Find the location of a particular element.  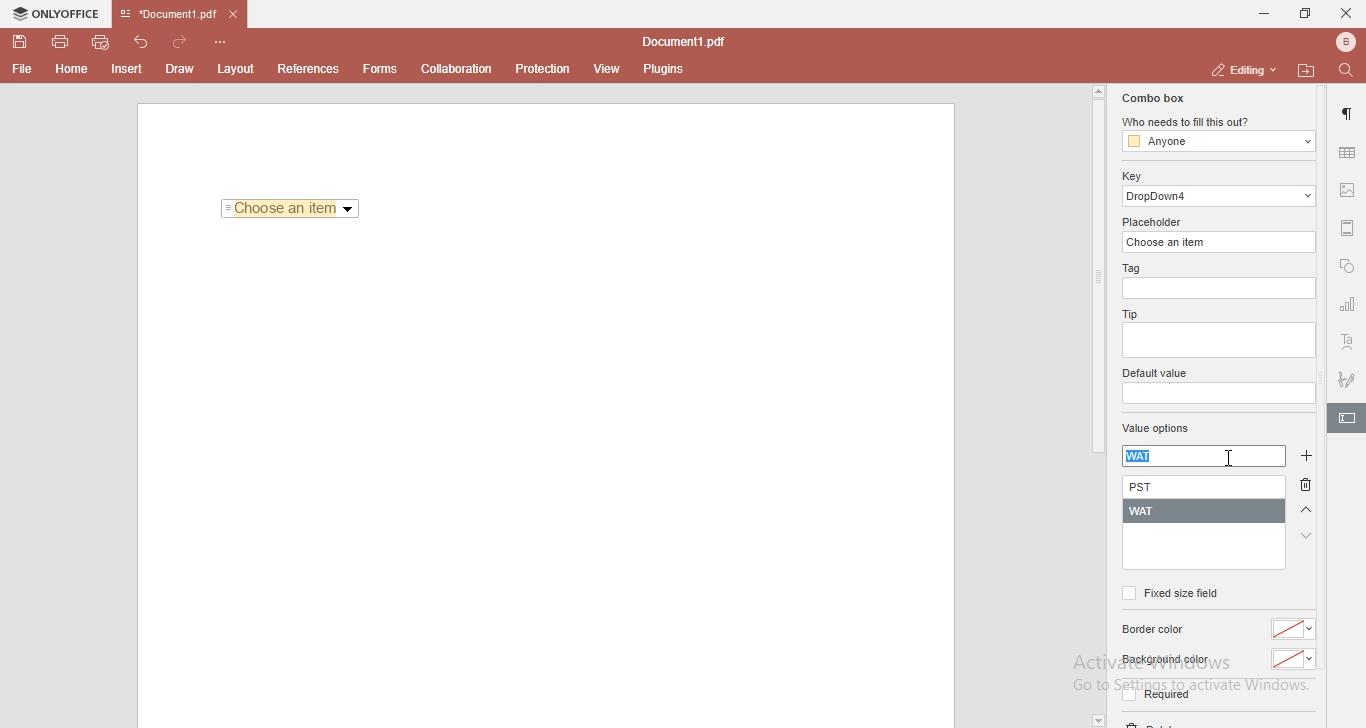

bluetooth is located at coordinates (1340, 42).